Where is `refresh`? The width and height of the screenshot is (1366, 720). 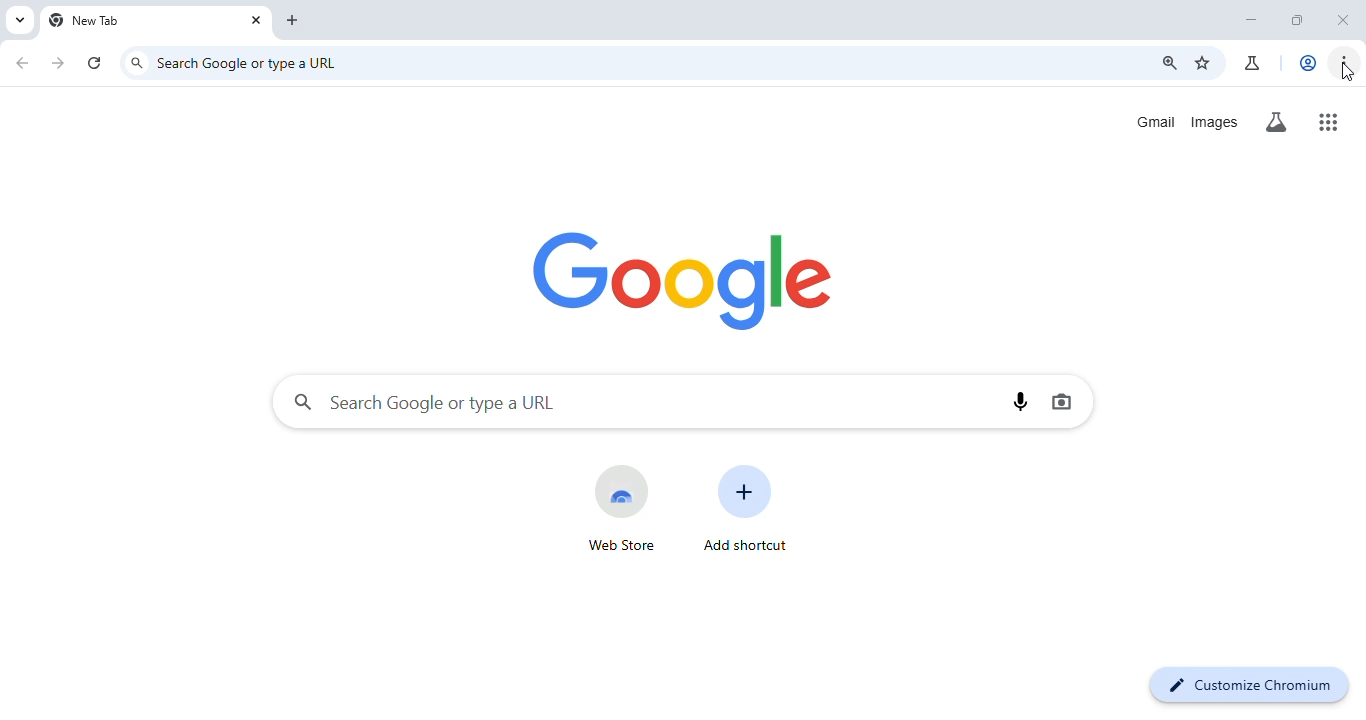 refresh is located at coordinates (96, 60).